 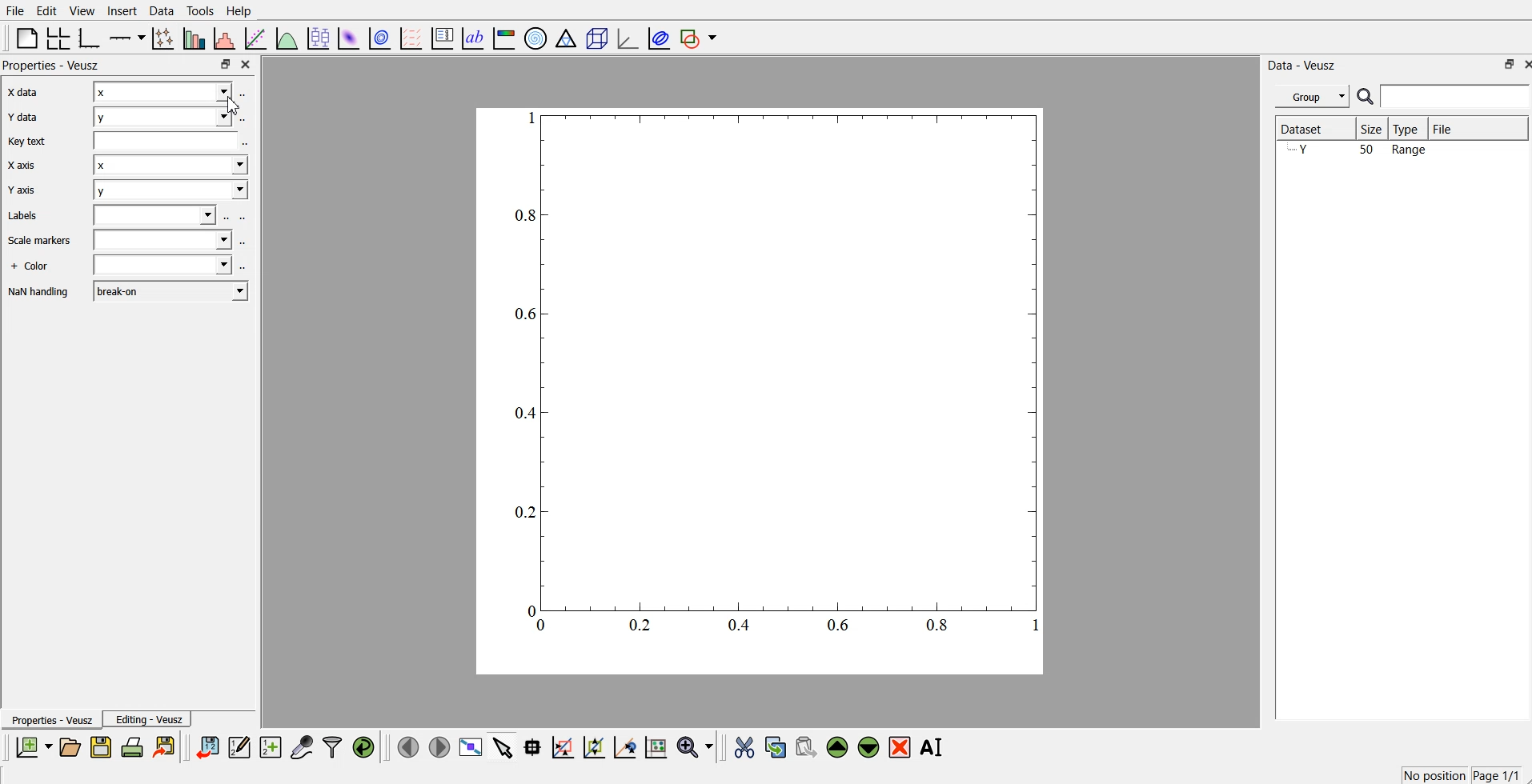 I want to click on export document, so click(x=165, y=748).